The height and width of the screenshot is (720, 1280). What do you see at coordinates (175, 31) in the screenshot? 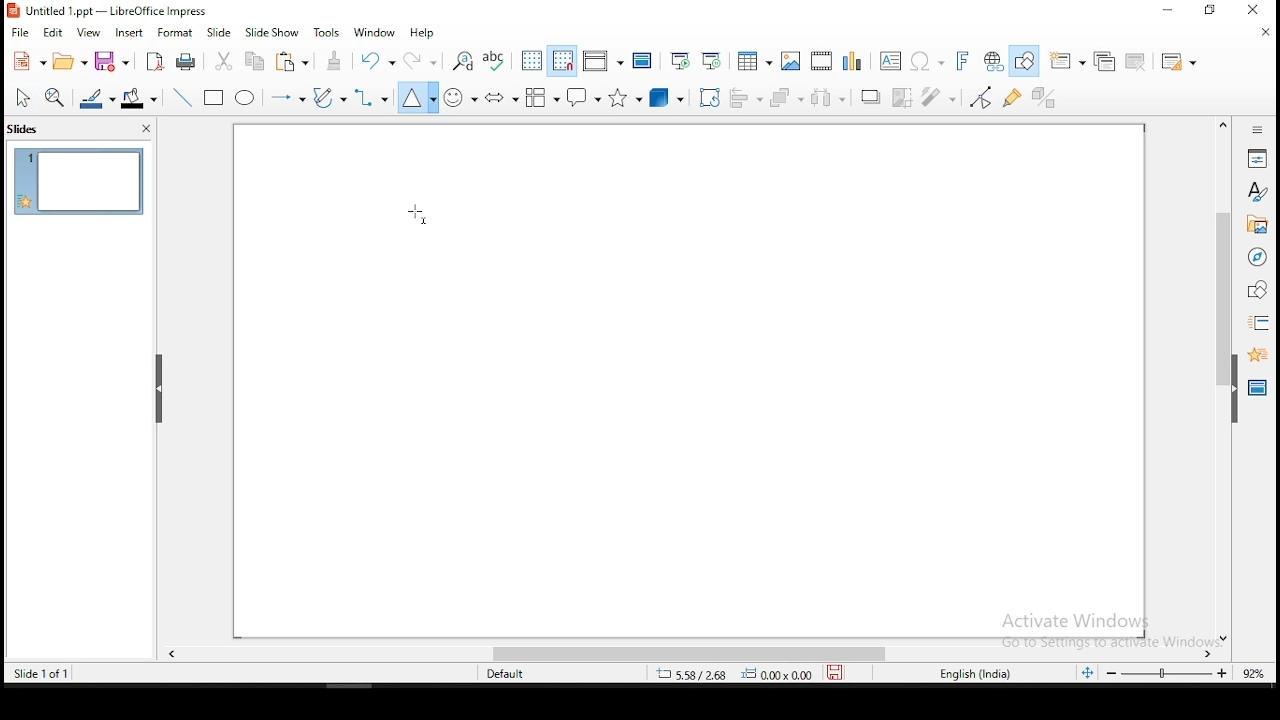
I see `format` at bounding box center [175, 31].